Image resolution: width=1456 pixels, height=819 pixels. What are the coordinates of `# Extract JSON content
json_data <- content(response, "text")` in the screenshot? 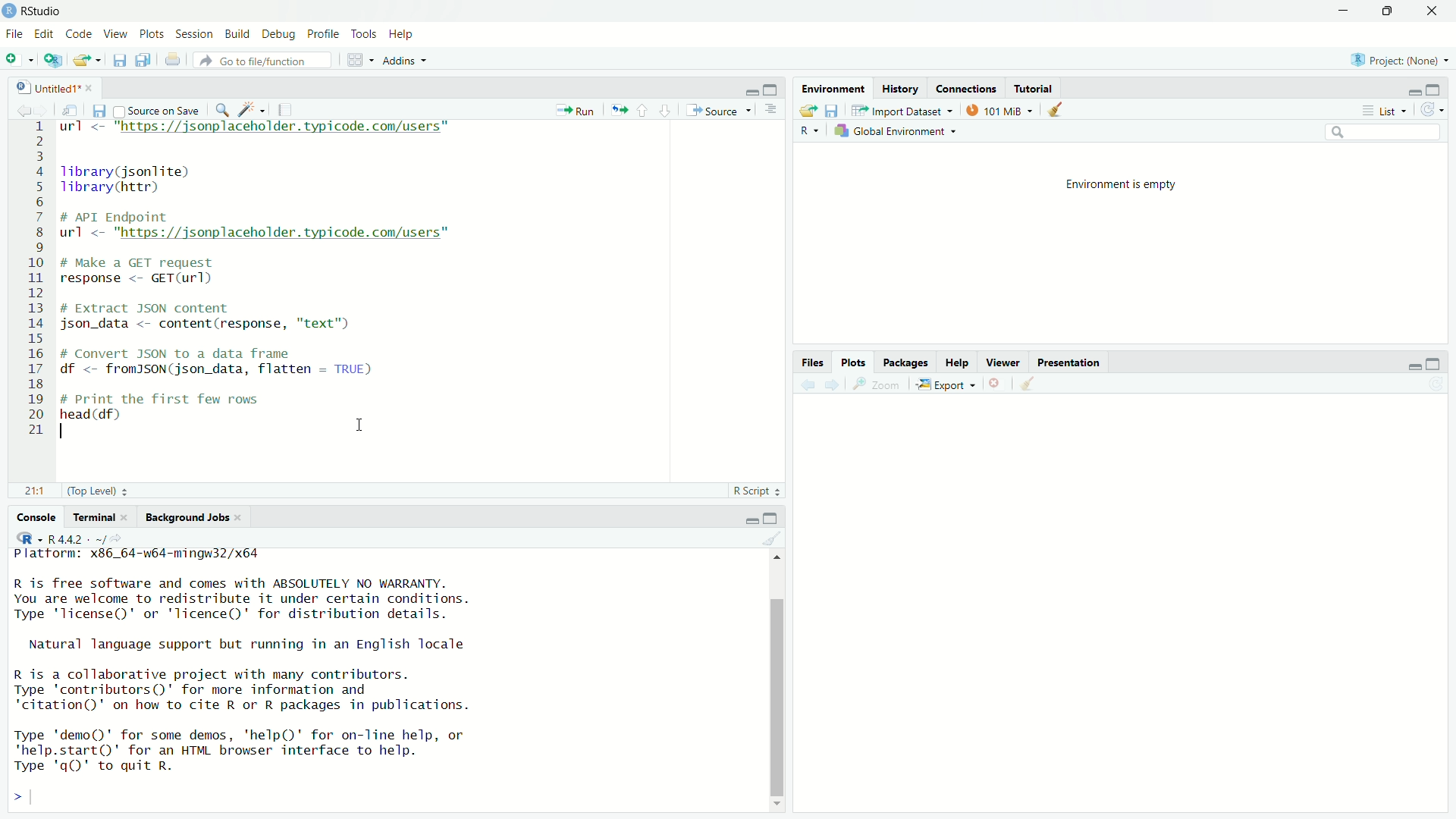 It's located at (209, 315).